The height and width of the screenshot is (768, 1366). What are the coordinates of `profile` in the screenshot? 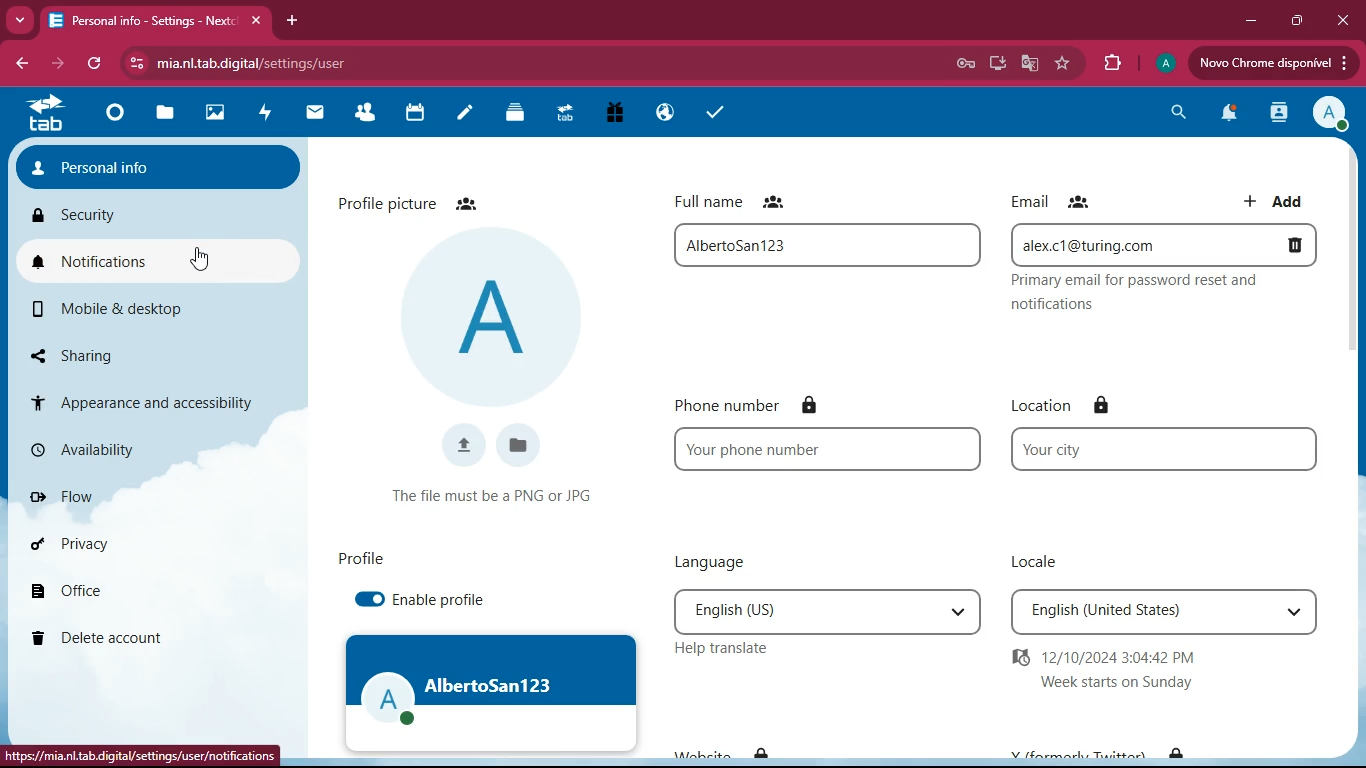 It's located at (1164, 64).